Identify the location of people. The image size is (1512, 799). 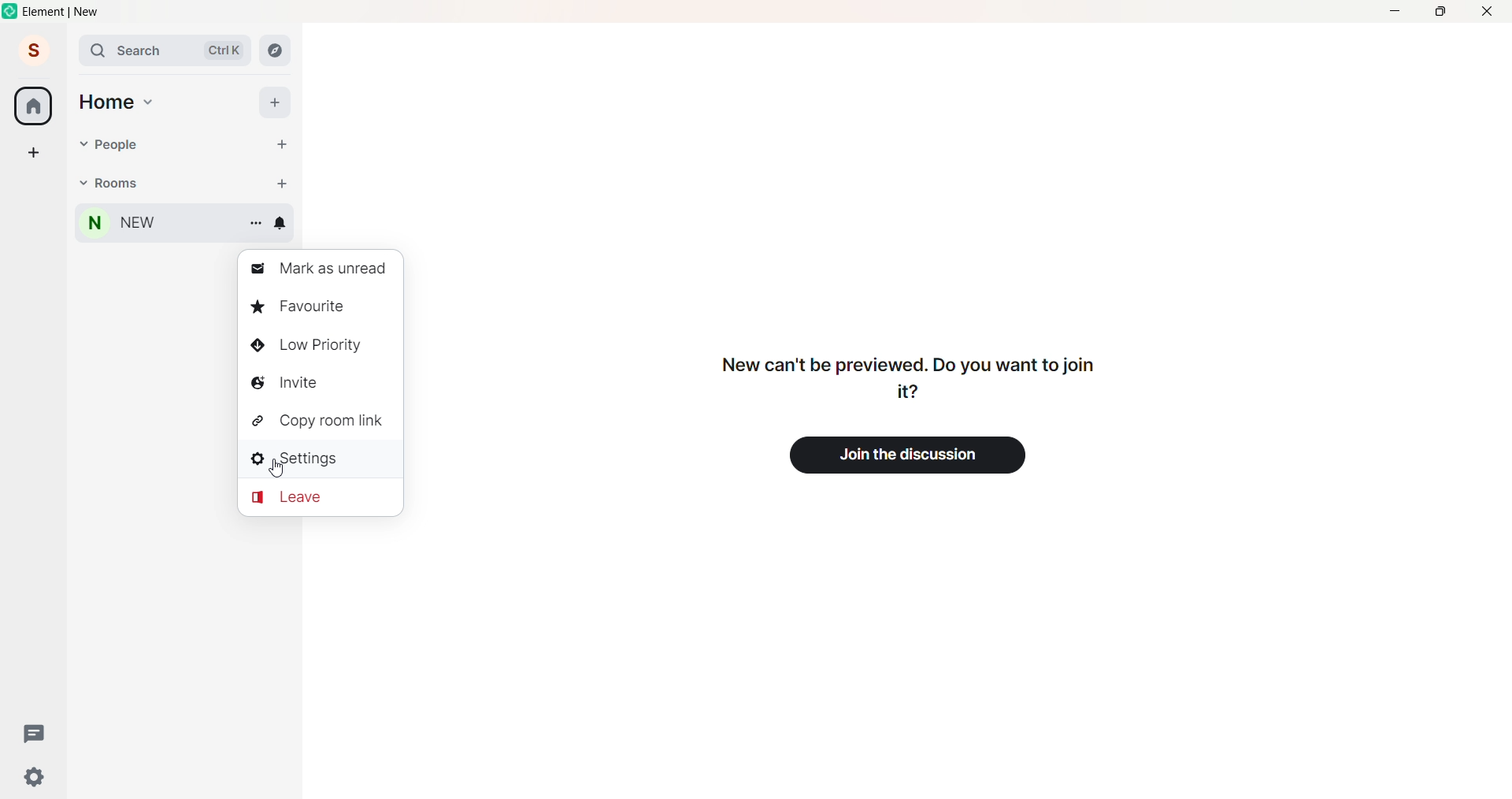
(106, 144).